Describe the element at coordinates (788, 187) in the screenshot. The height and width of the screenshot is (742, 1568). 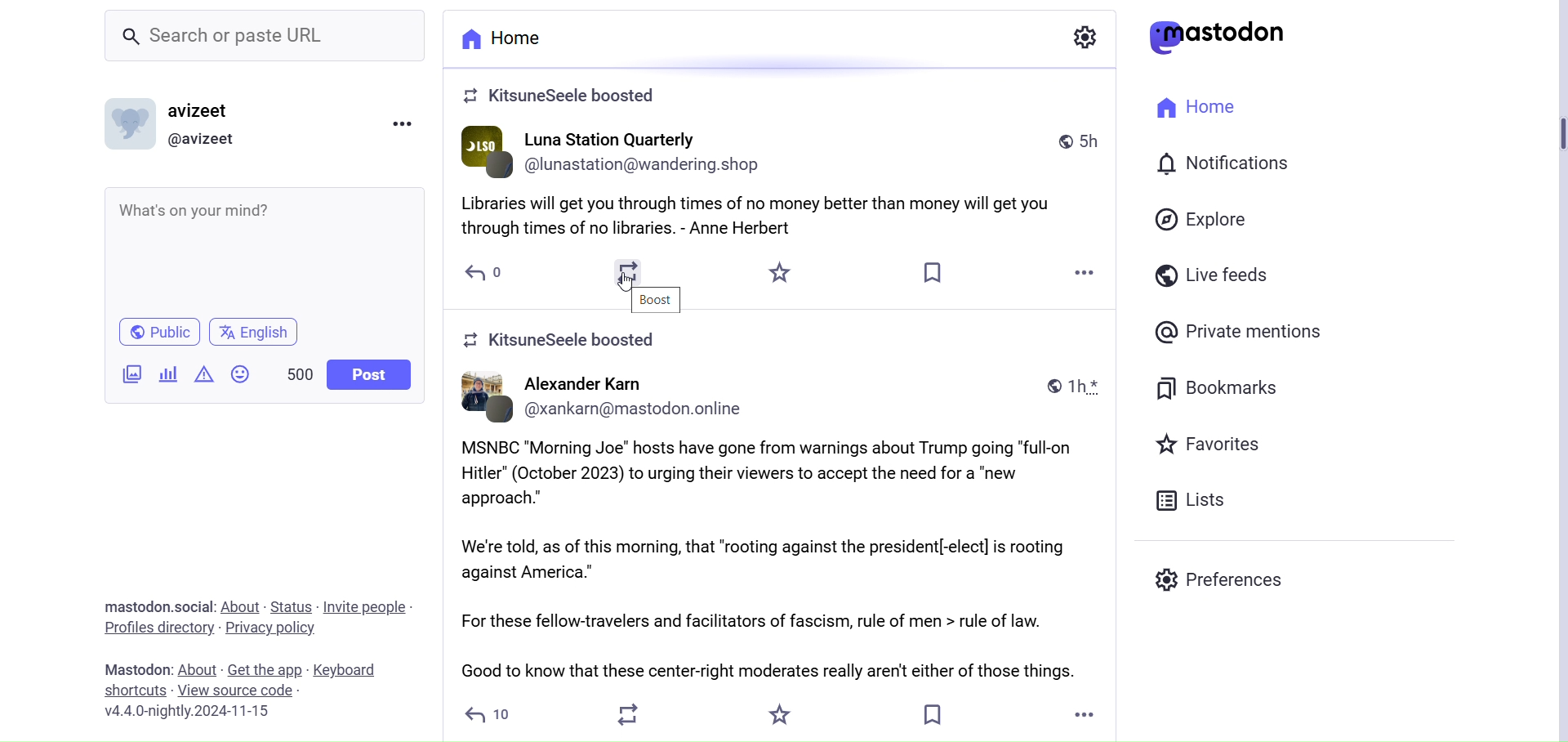
I see `Post` at that location.